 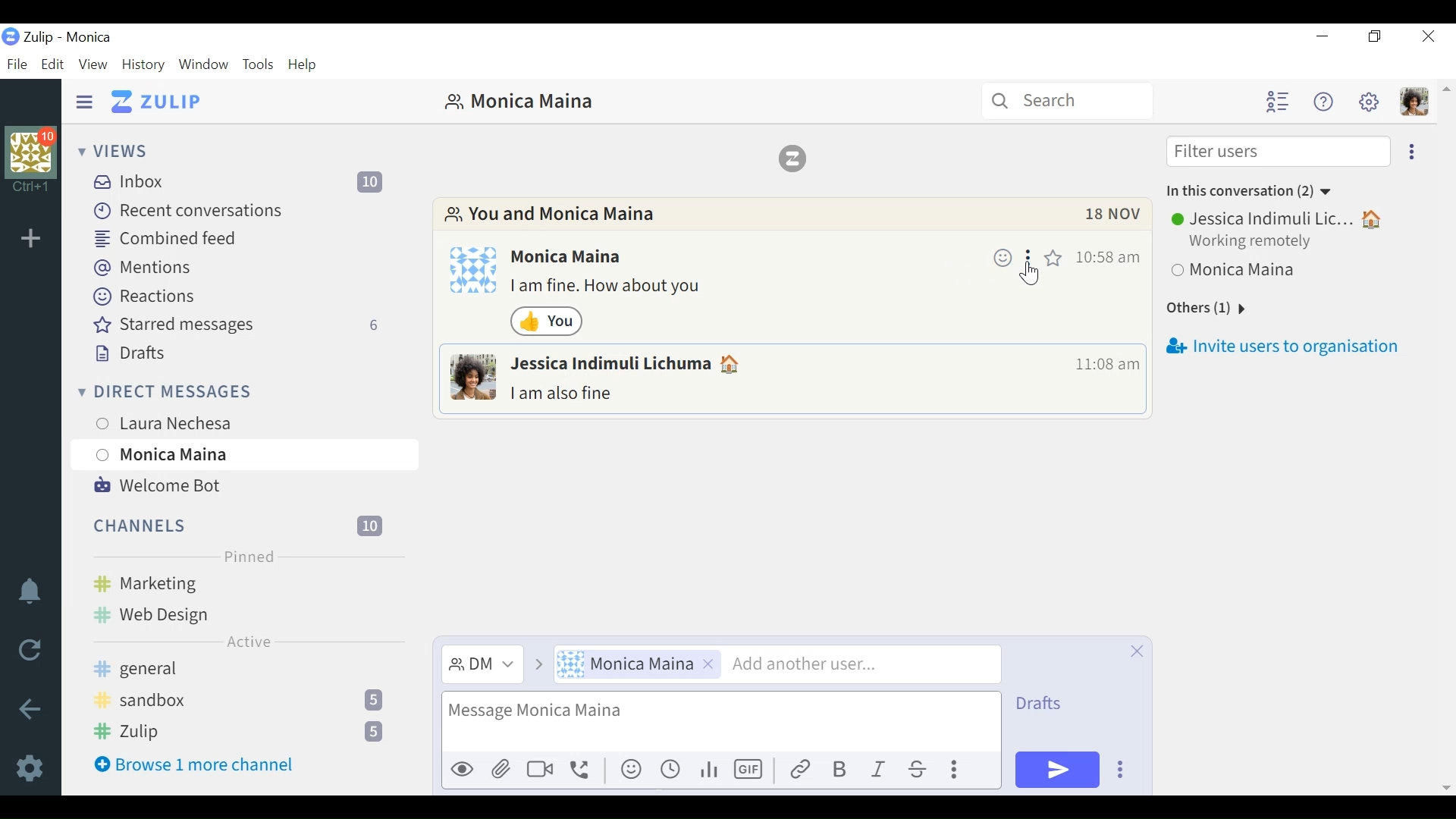 I want to click on Ellipsis, so click(x=959, y=772).